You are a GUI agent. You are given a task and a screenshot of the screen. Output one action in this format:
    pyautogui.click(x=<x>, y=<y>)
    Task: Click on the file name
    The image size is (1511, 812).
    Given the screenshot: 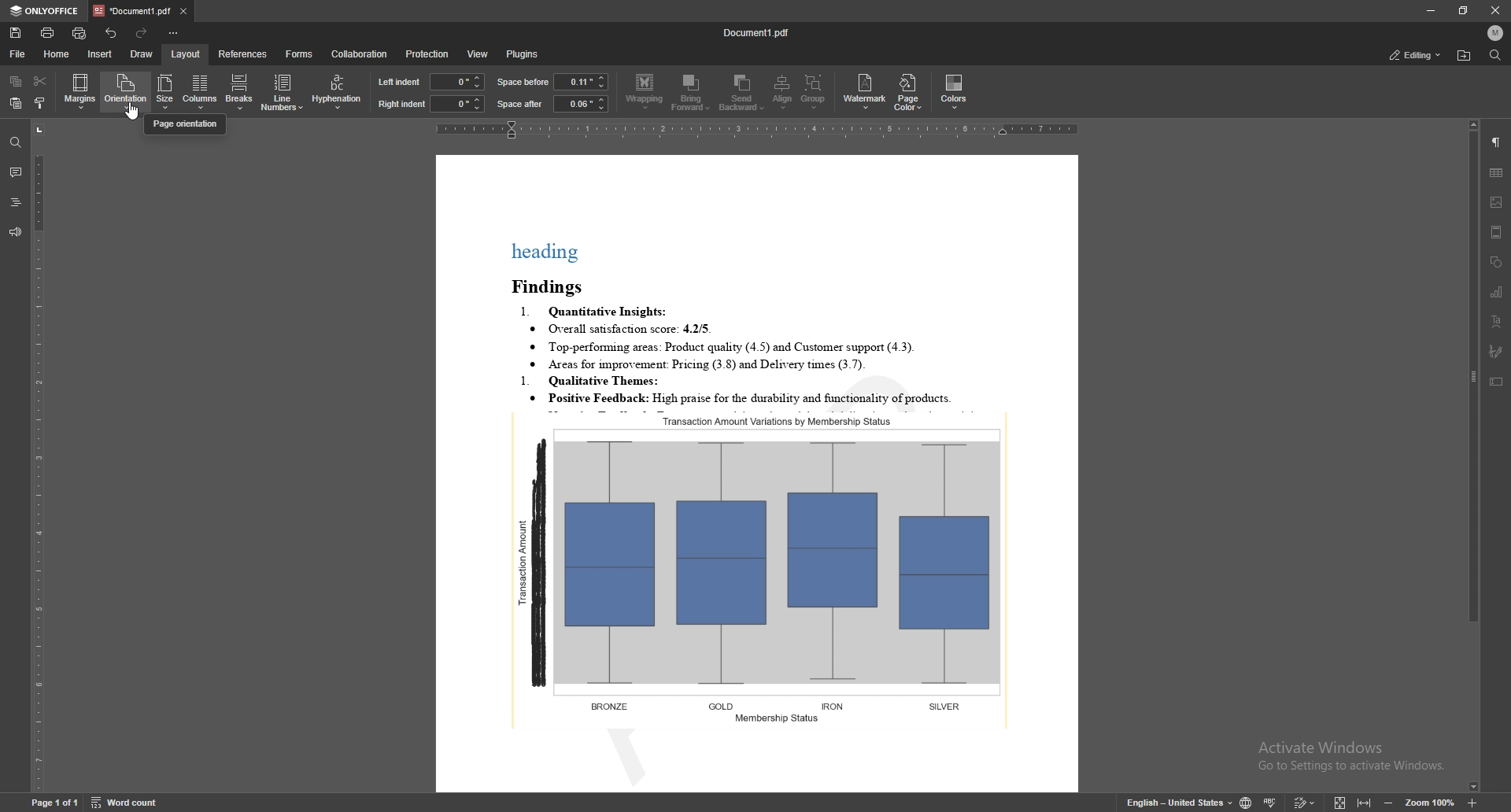 What is the action you would take?
    pyautogui.click(x=757, y=31)
    